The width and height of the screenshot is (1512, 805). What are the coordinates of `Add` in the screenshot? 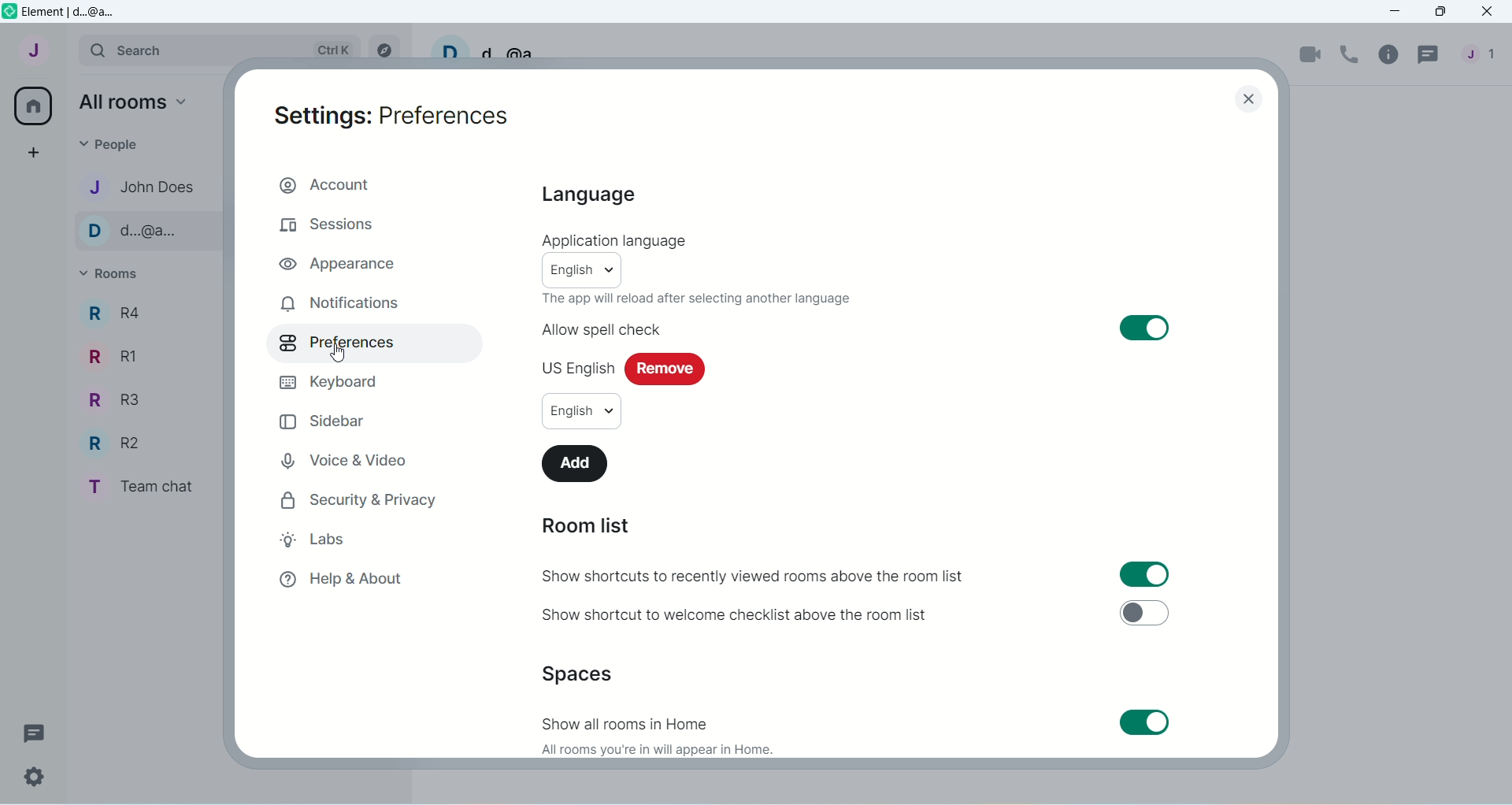 It's located at (584, 464).